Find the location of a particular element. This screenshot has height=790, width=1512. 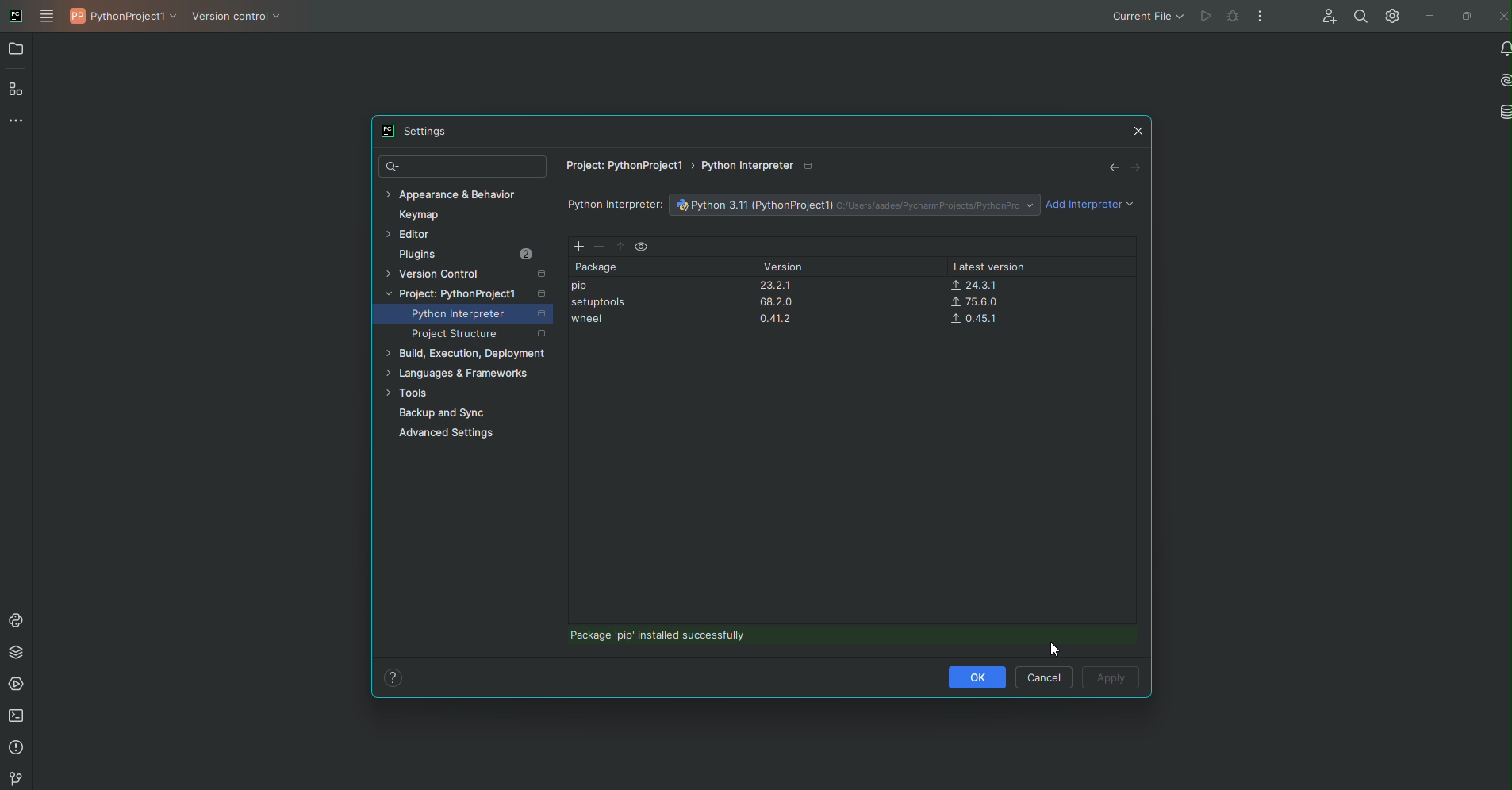

More Options is located at coordinates (1258, 18).